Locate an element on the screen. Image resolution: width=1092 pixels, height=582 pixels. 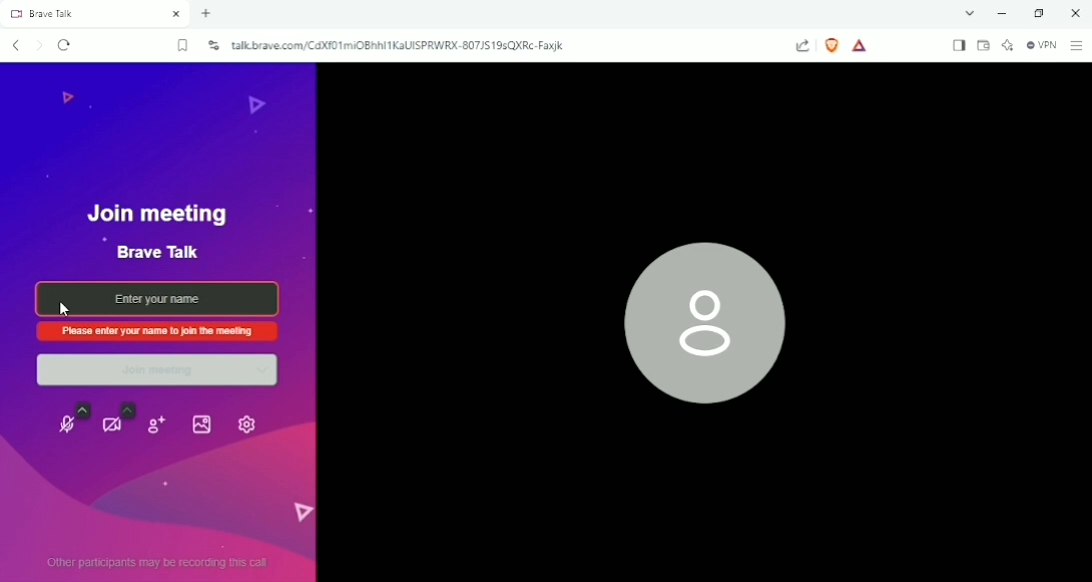
Join meeting is located at coordinates (154, 371).